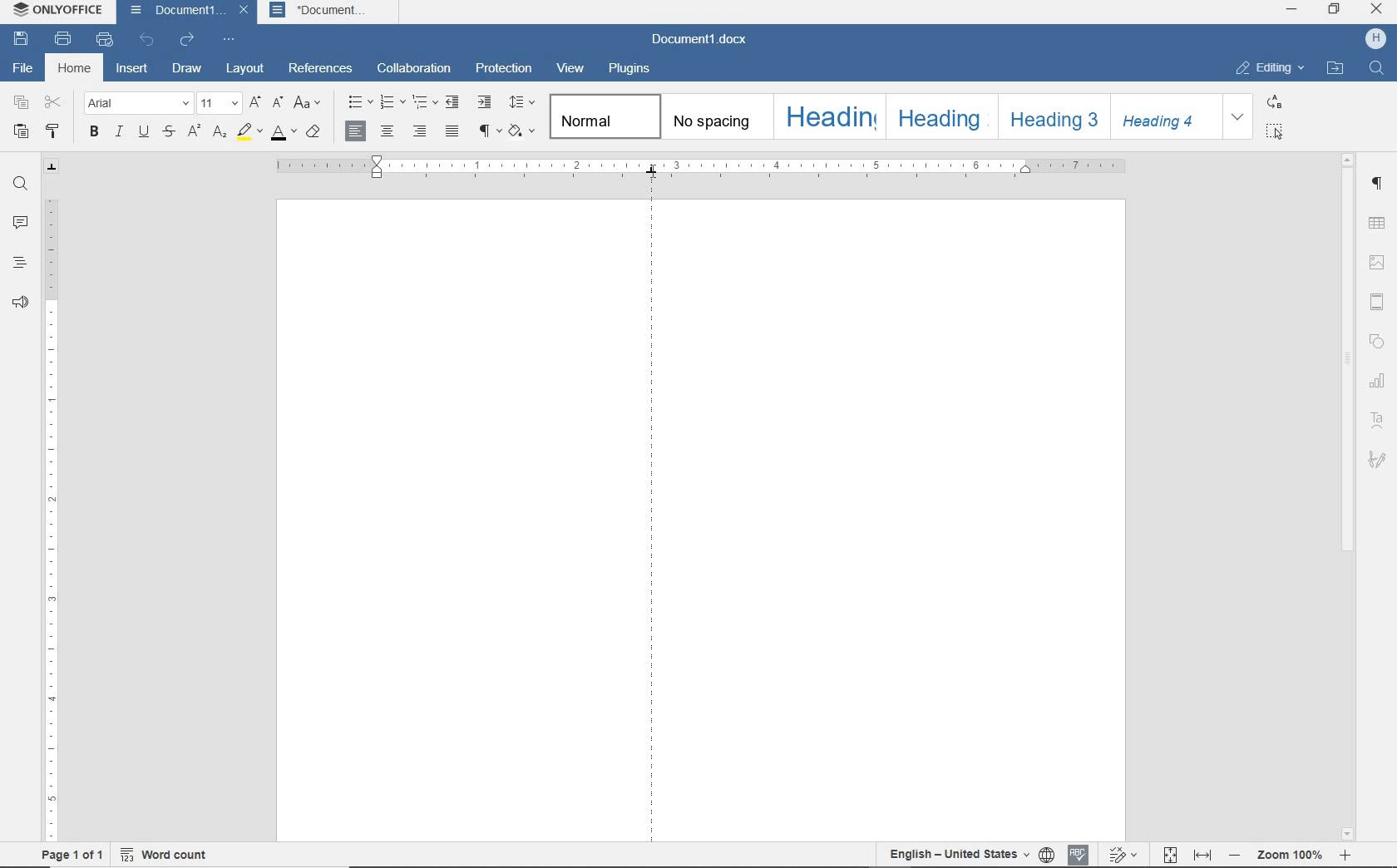  Describe the element at coordinates (133, 70) in the screenshot. I see `INSERT` at that location.